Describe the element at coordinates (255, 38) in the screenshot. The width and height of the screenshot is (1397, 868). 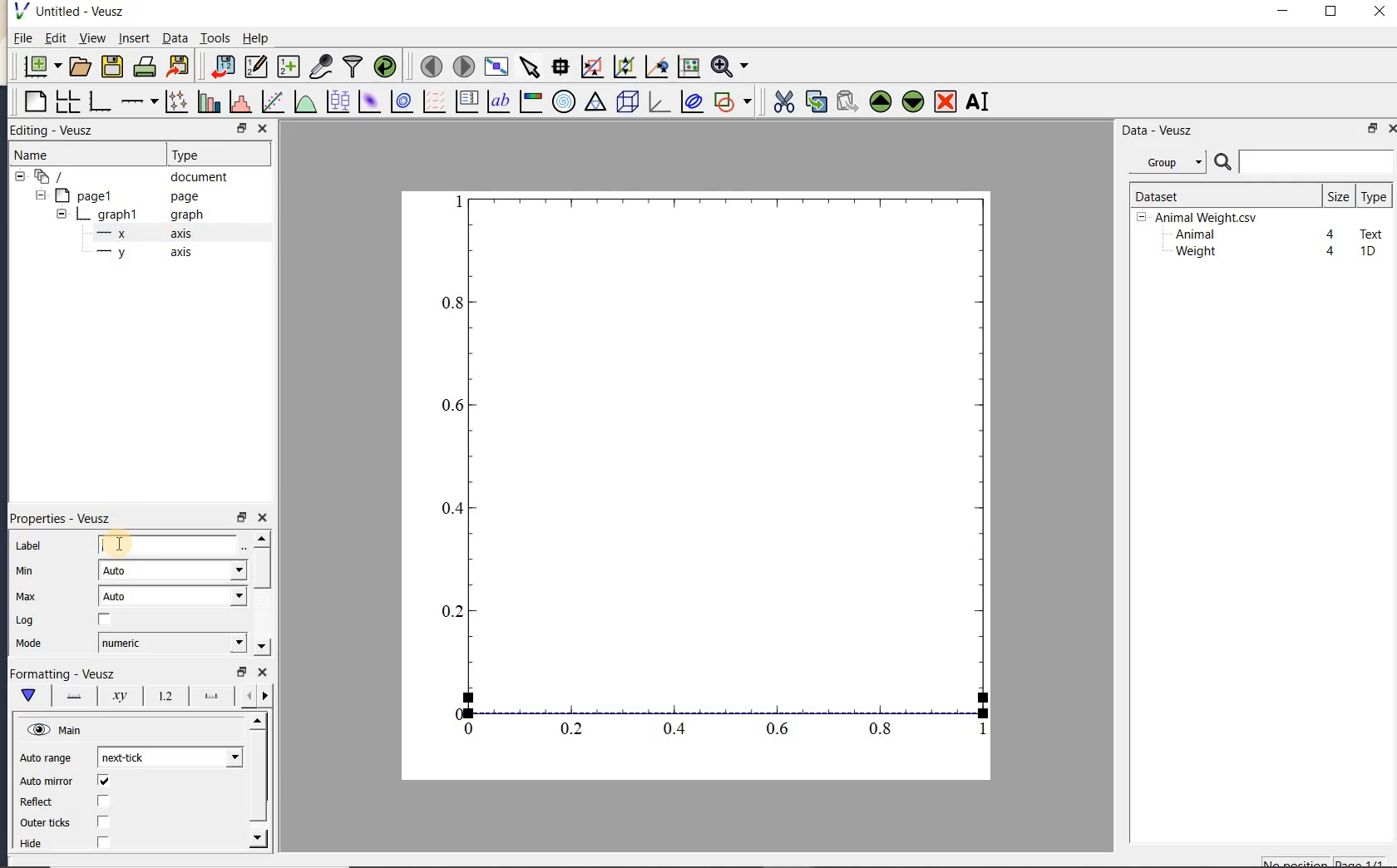
I see `Help` at that location.